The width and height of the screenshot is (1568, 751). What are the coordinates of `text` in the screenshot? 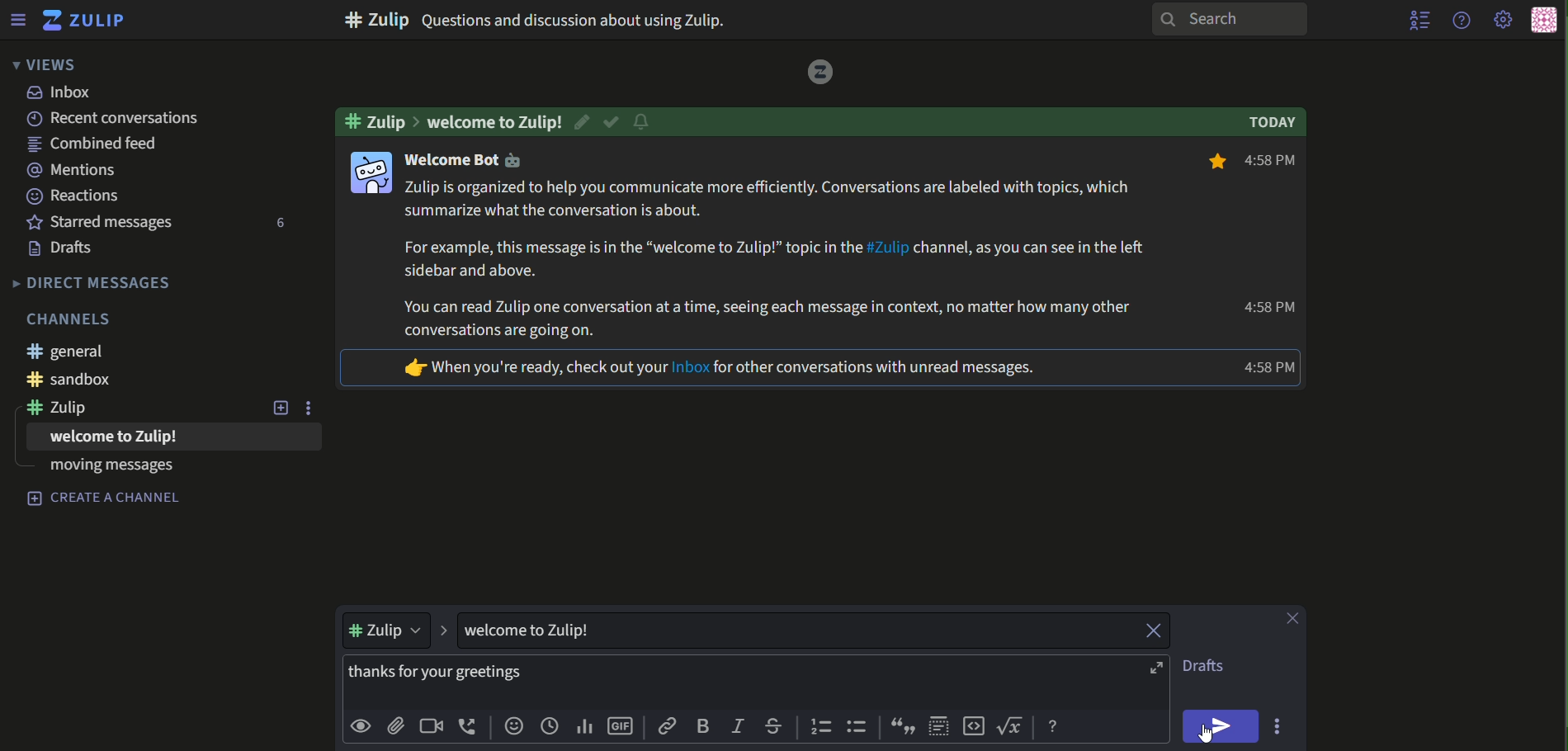 It's located at (778, 260).